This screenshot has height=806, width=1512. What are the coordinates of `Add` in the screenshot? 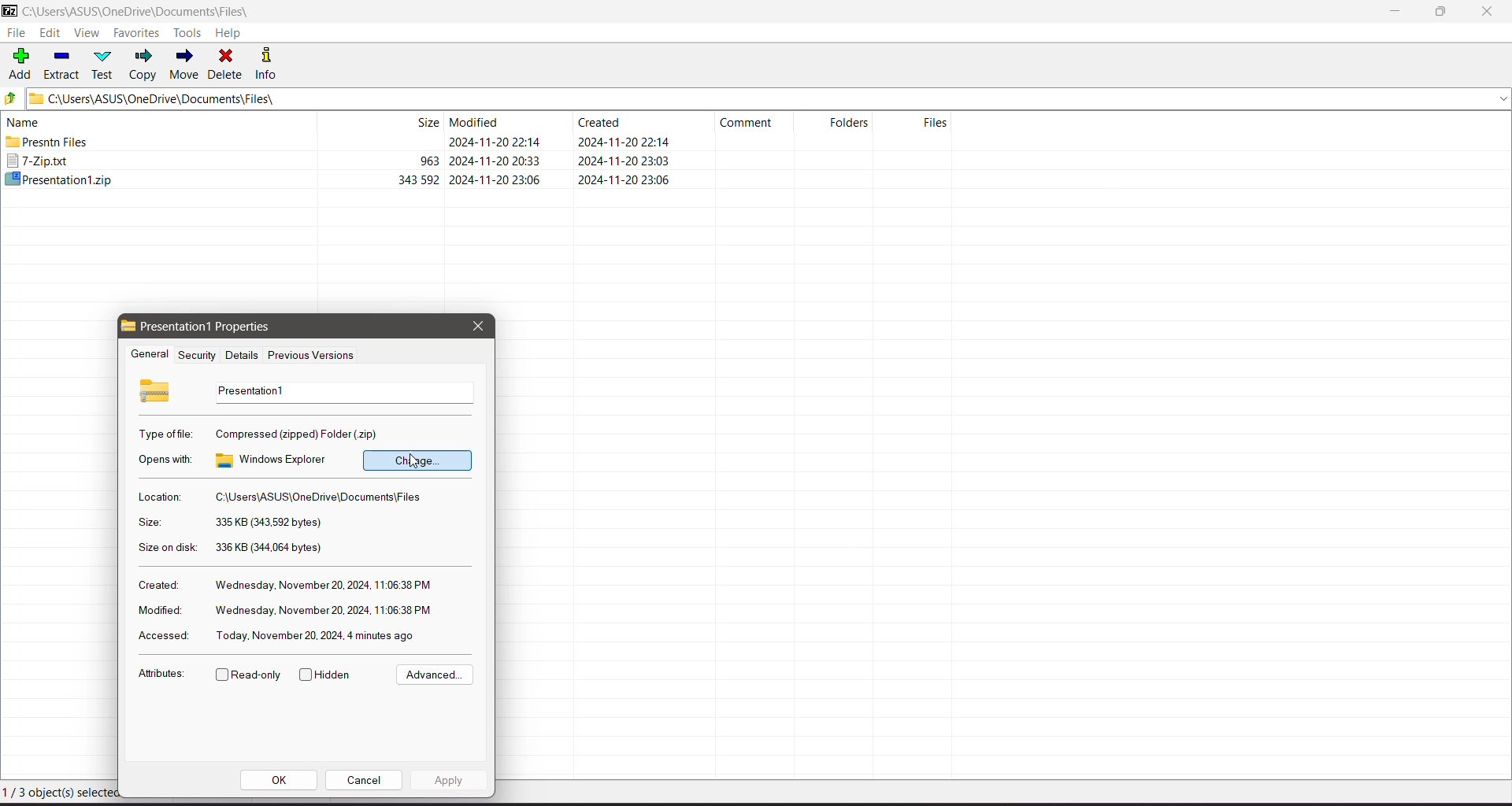 It's located at (20, 62).